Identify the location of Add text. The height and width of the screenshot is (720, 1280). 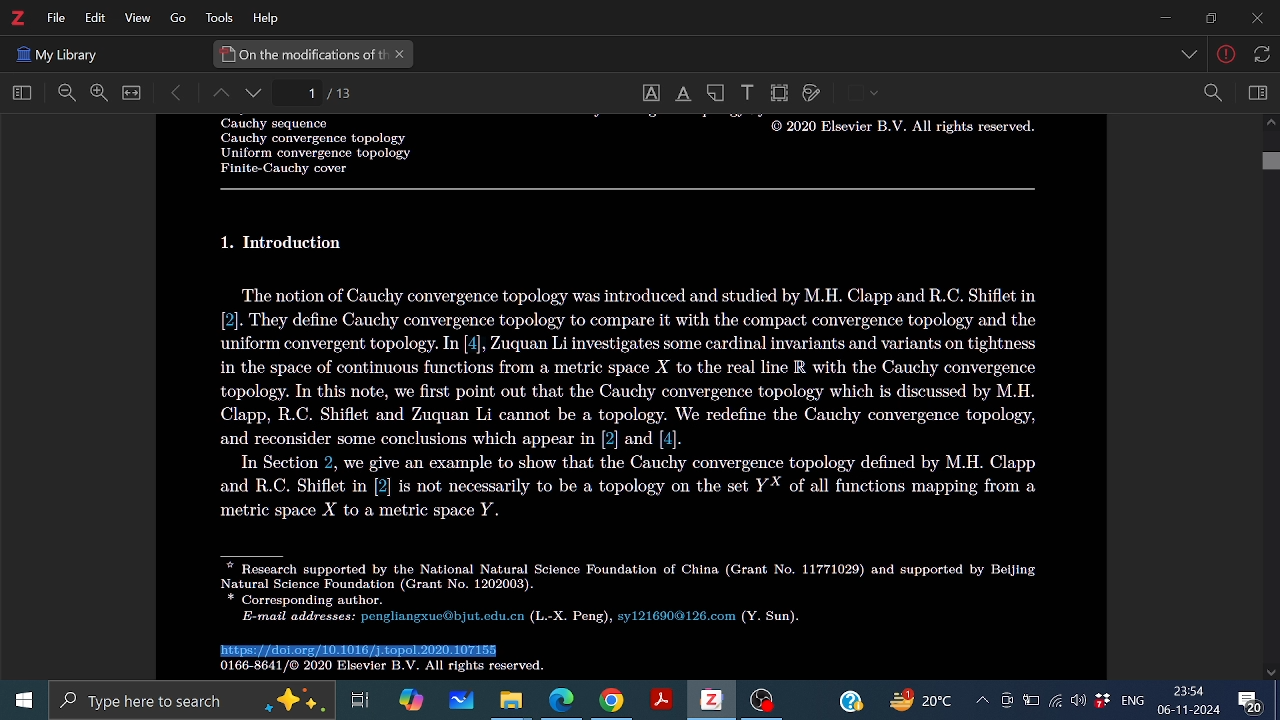
(746, 91).